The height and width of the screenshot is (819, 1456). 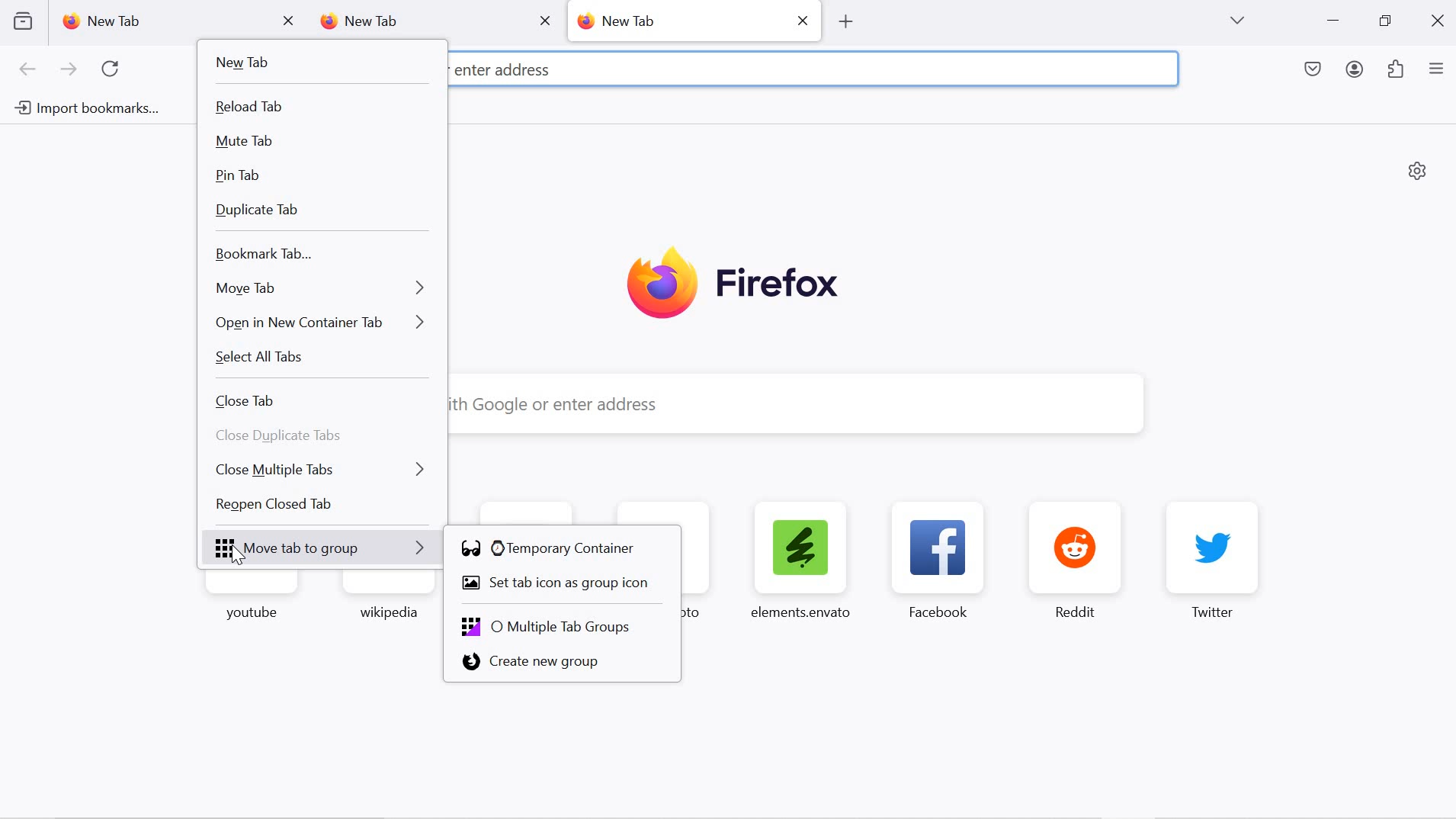 What do you see at coordinates (799, 559) in the screenshot?
I see `elements.envanto favorite` at bounding box center [799, 559].